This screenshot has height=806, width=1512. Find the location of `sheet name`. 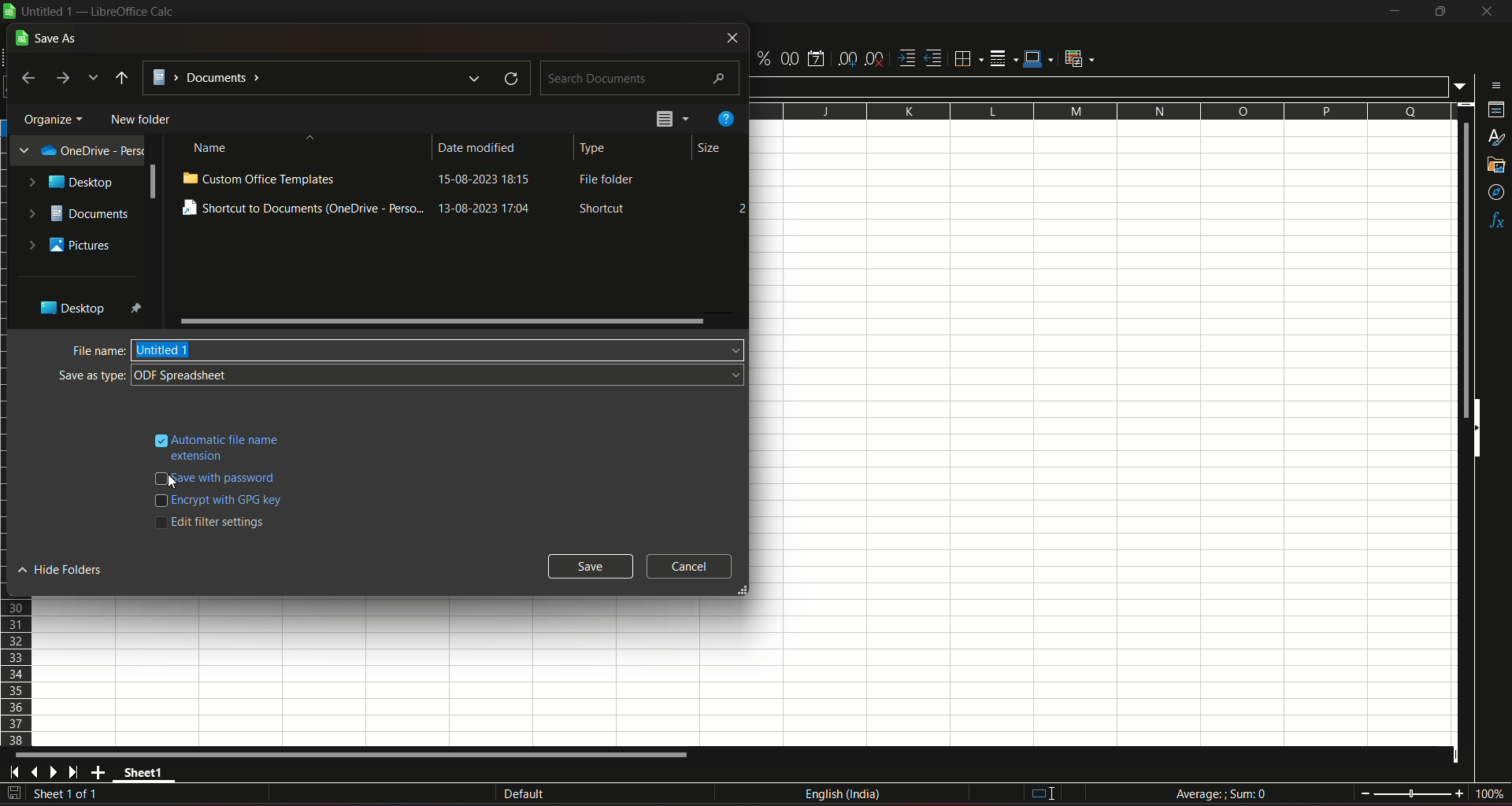

sheet name is located at coordinates (146, 775).